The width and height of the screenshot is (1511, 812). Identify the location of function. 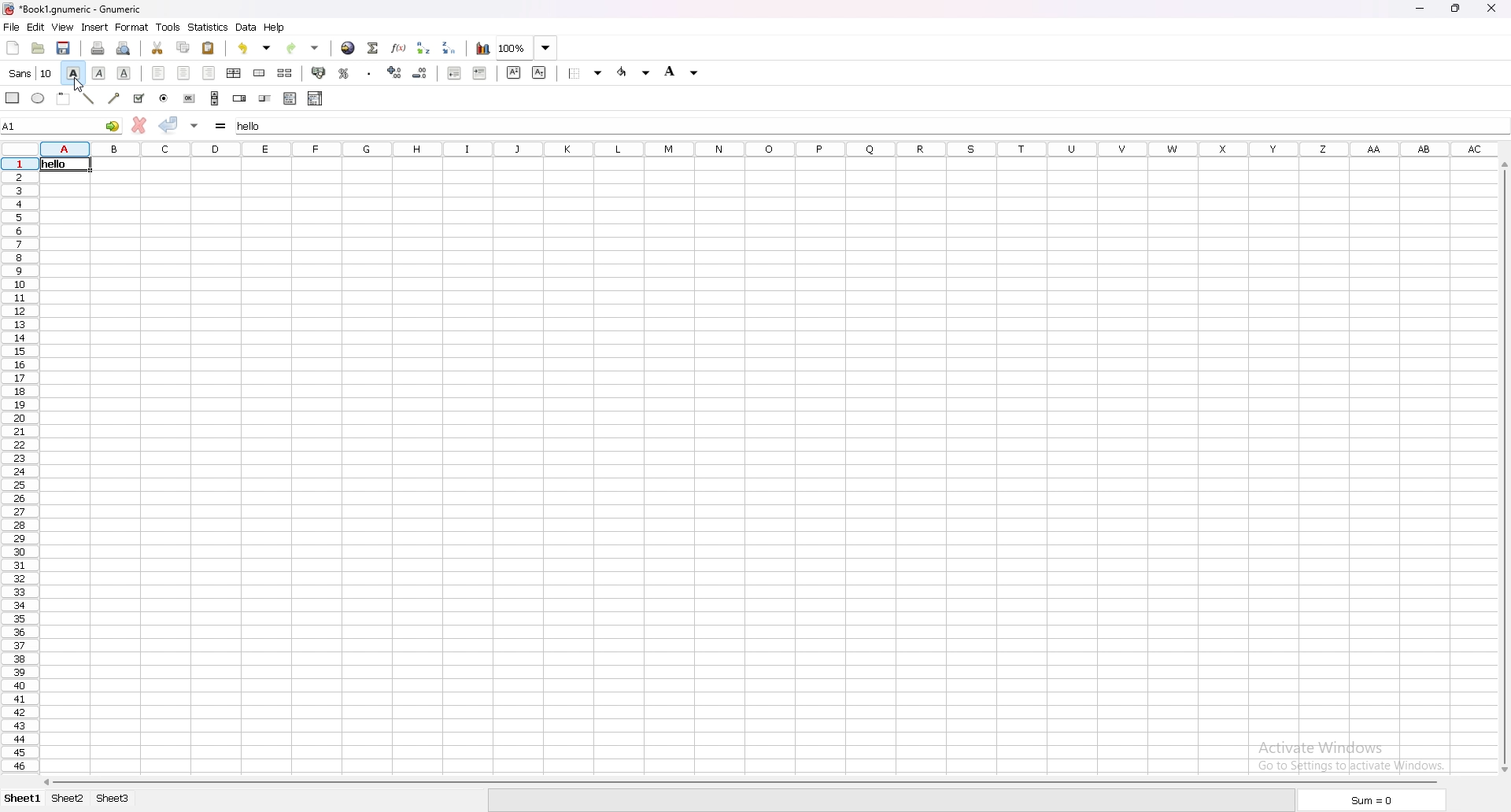
(397, 48).